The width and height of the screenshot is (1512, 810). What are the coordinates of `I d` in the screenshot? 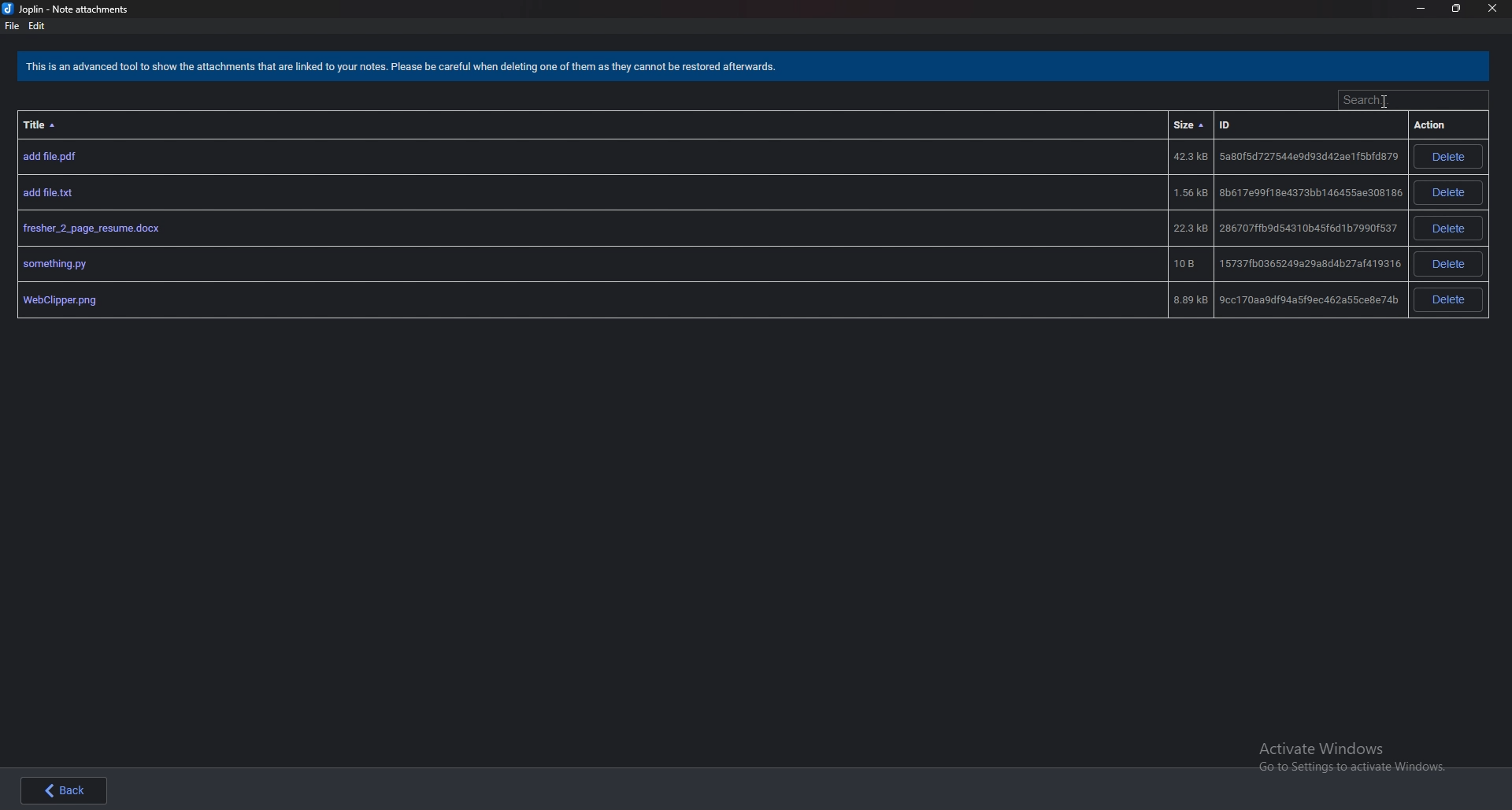 It's located at (1252, 128).